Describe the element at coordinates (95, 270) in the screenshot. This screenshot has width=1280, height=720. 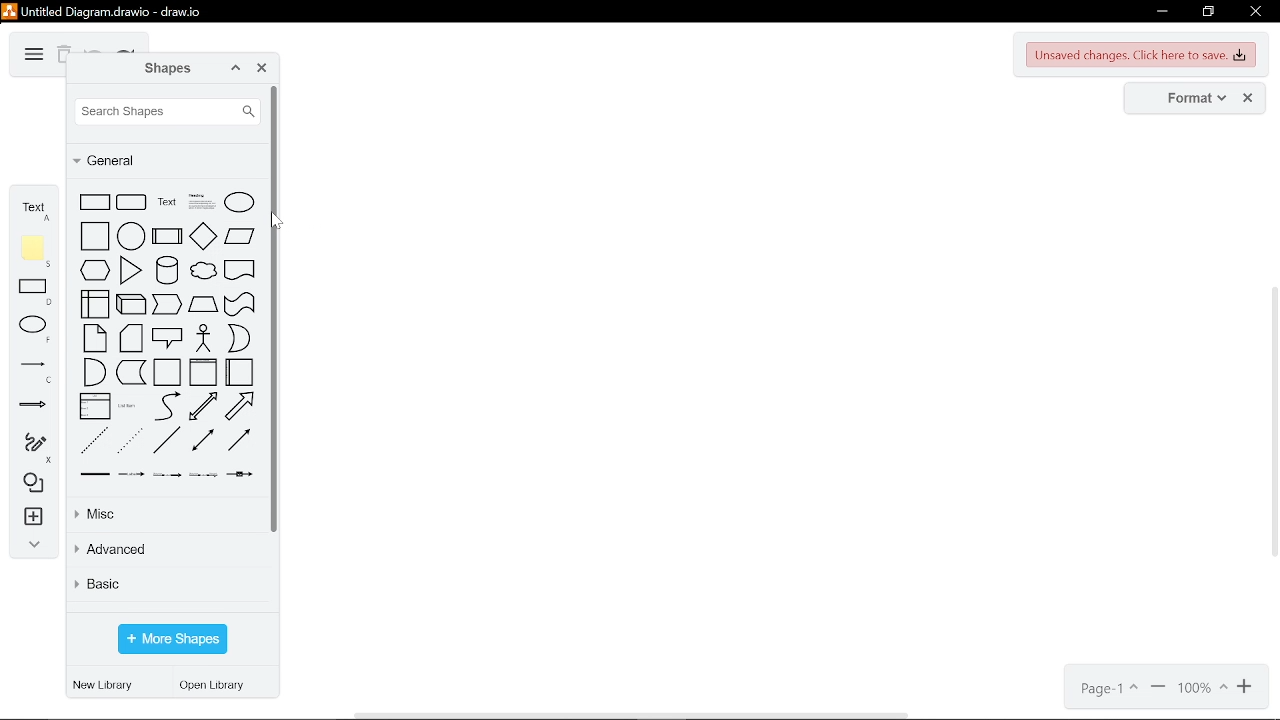
I see `hexagon` at that location.